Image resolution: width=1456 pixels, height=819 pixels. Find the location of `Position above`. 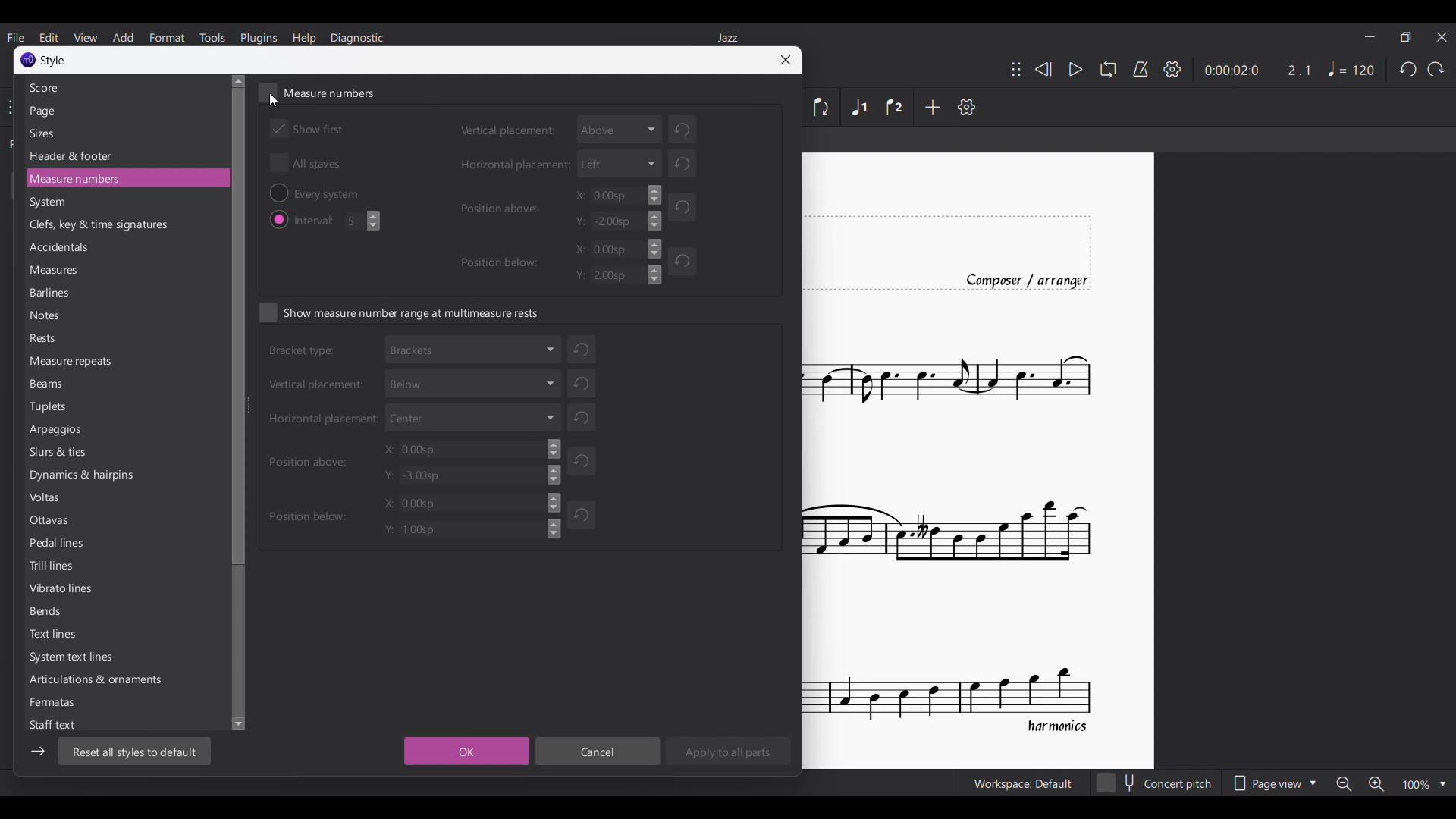

Position above is located at coordinates (502, 207).